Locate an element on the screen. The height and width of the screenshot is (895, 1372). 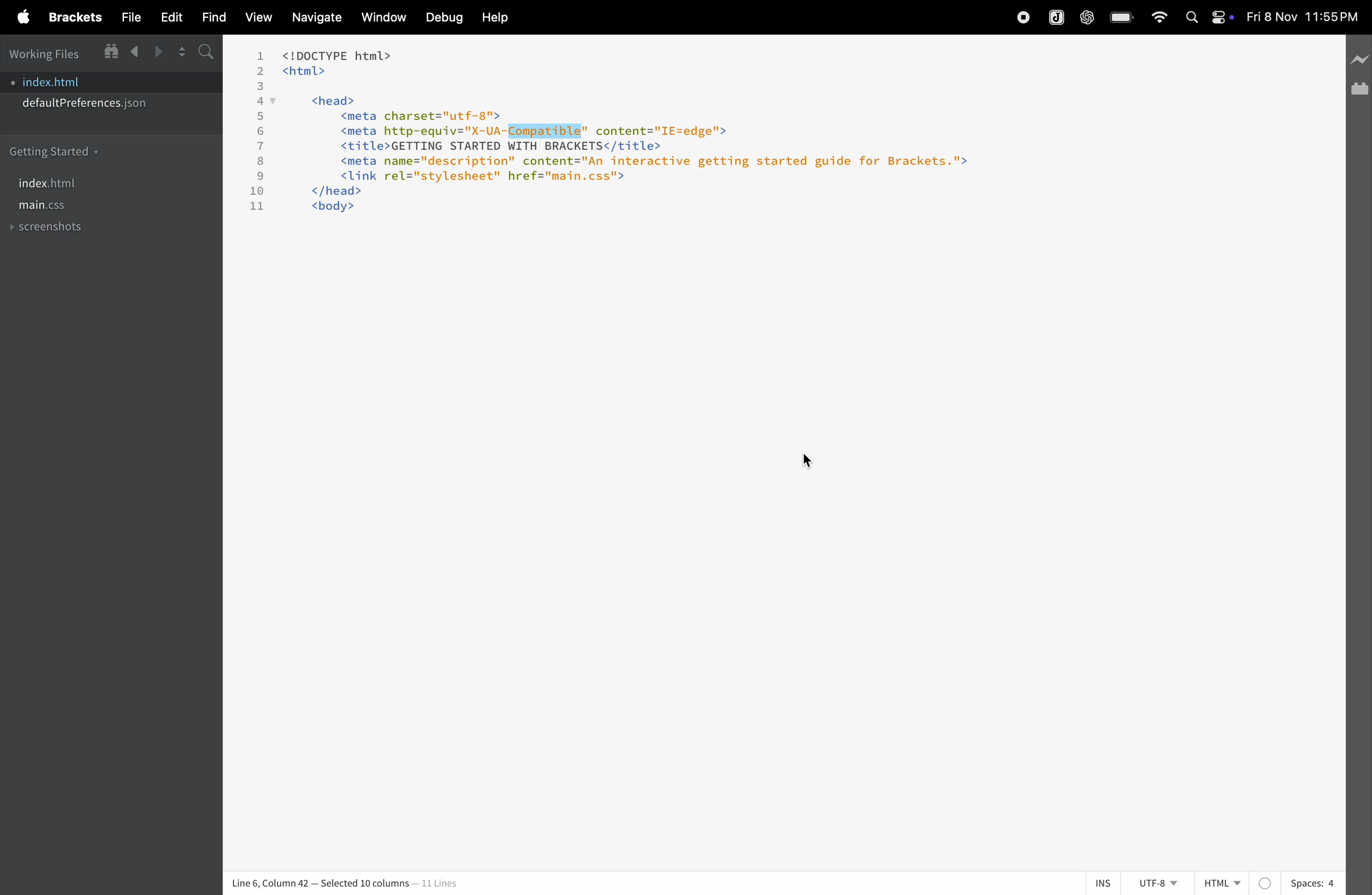
line 6, column 42 - Selected 10 columns - 11 lines is located at coordinates (350, 881).